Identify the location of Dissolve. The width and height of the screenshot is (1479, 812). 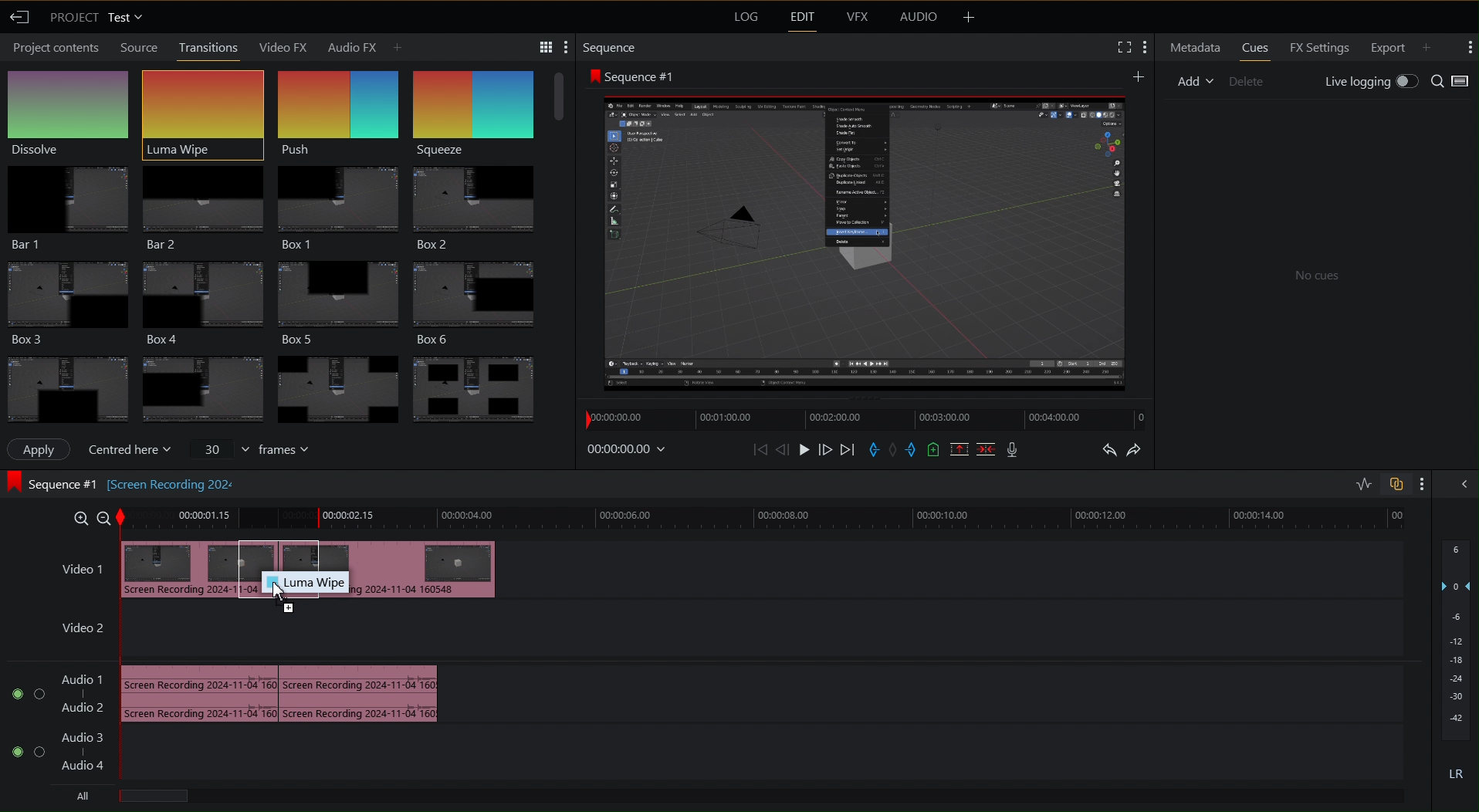
(72, 110).